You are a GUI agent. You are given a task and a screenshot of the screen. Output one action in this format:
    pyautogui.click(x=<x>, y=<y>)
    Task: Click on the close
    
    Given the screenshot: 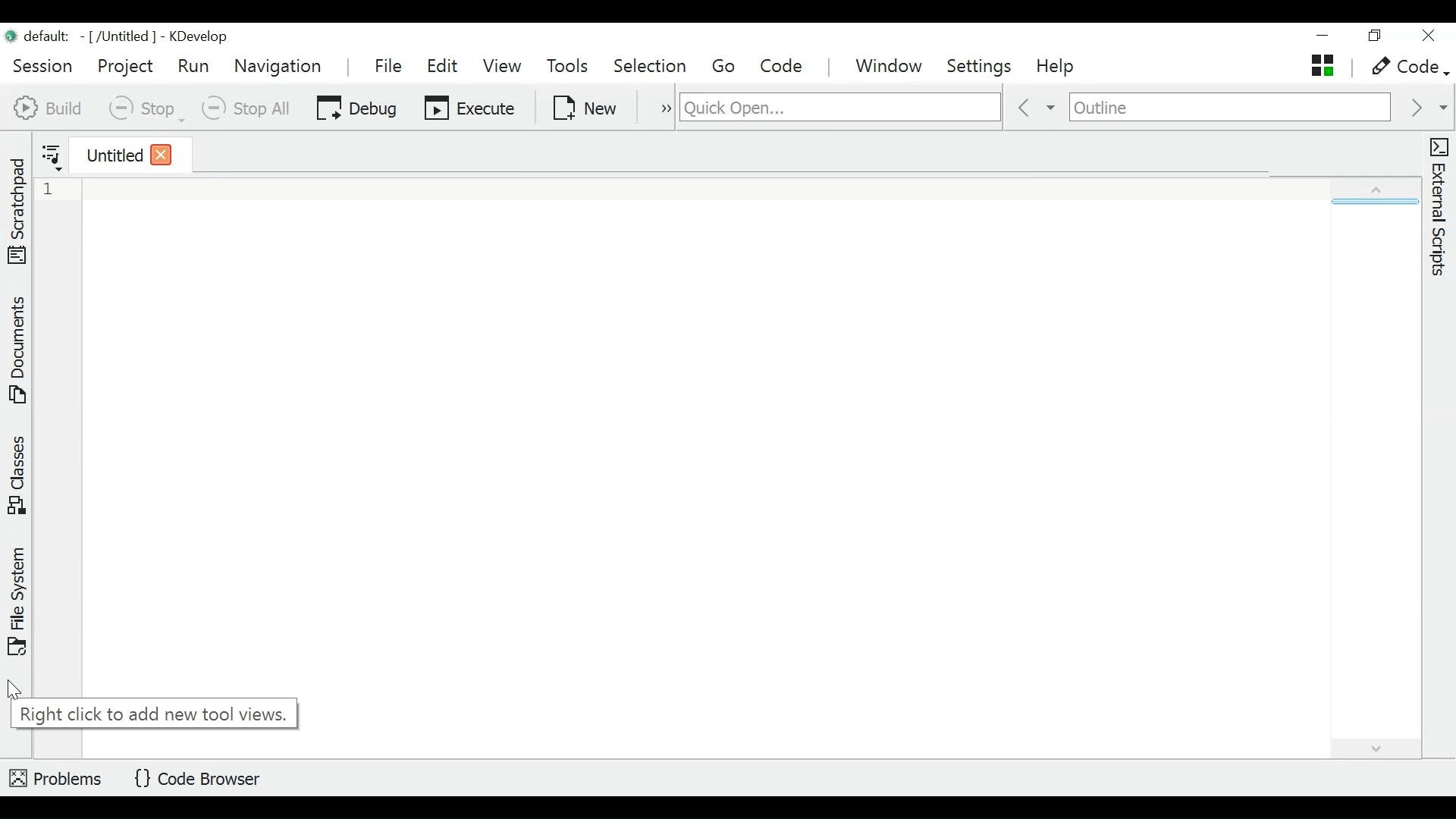 What is the action you would take?
    pyautogui.click(x=159, y=154)
    